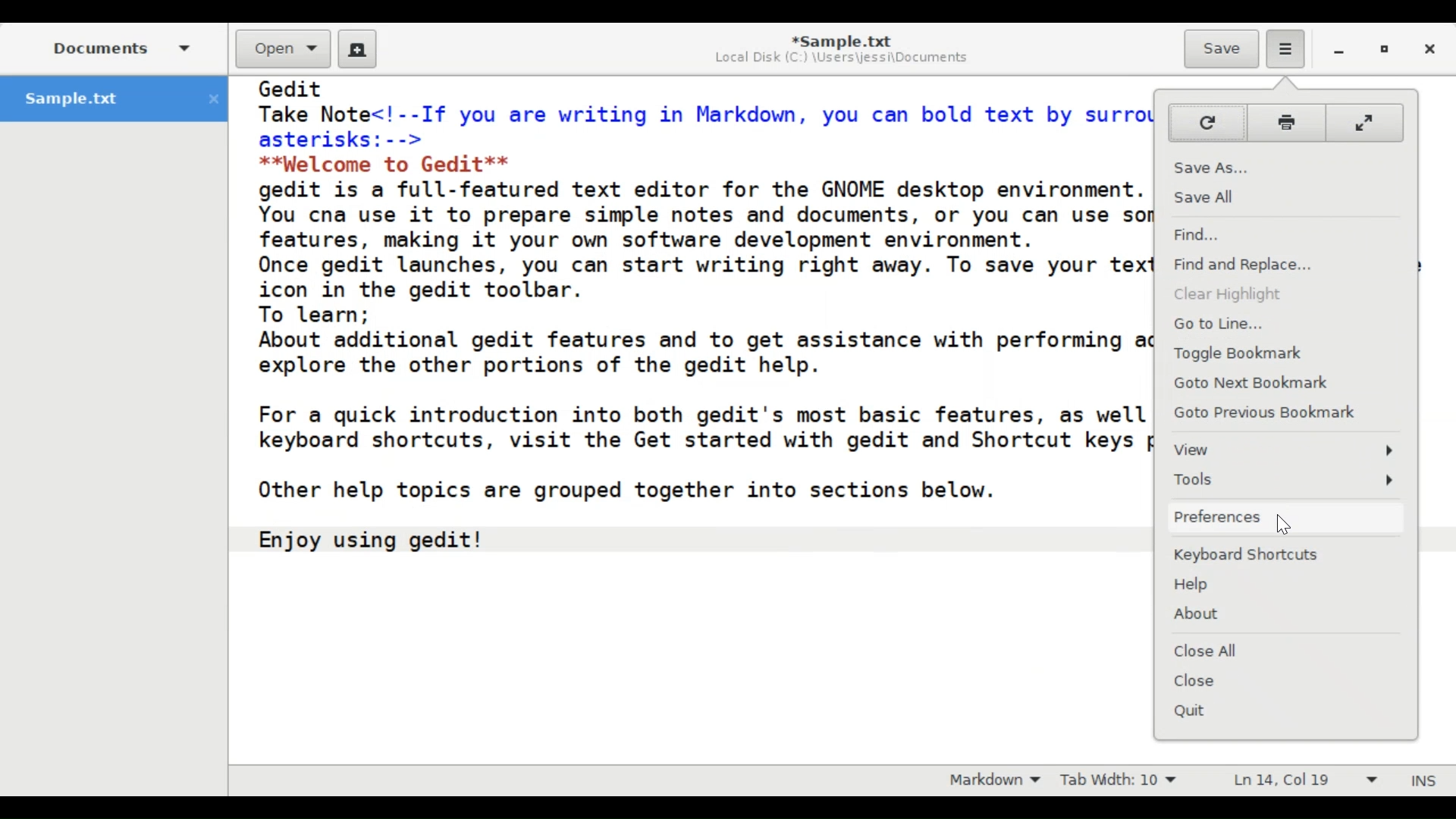 This screenshot has height=819, width=1456. What do you see at coordinates (114, 99) in the screenshot?
I see `Sample.txt` at bounding box center [114, 99].